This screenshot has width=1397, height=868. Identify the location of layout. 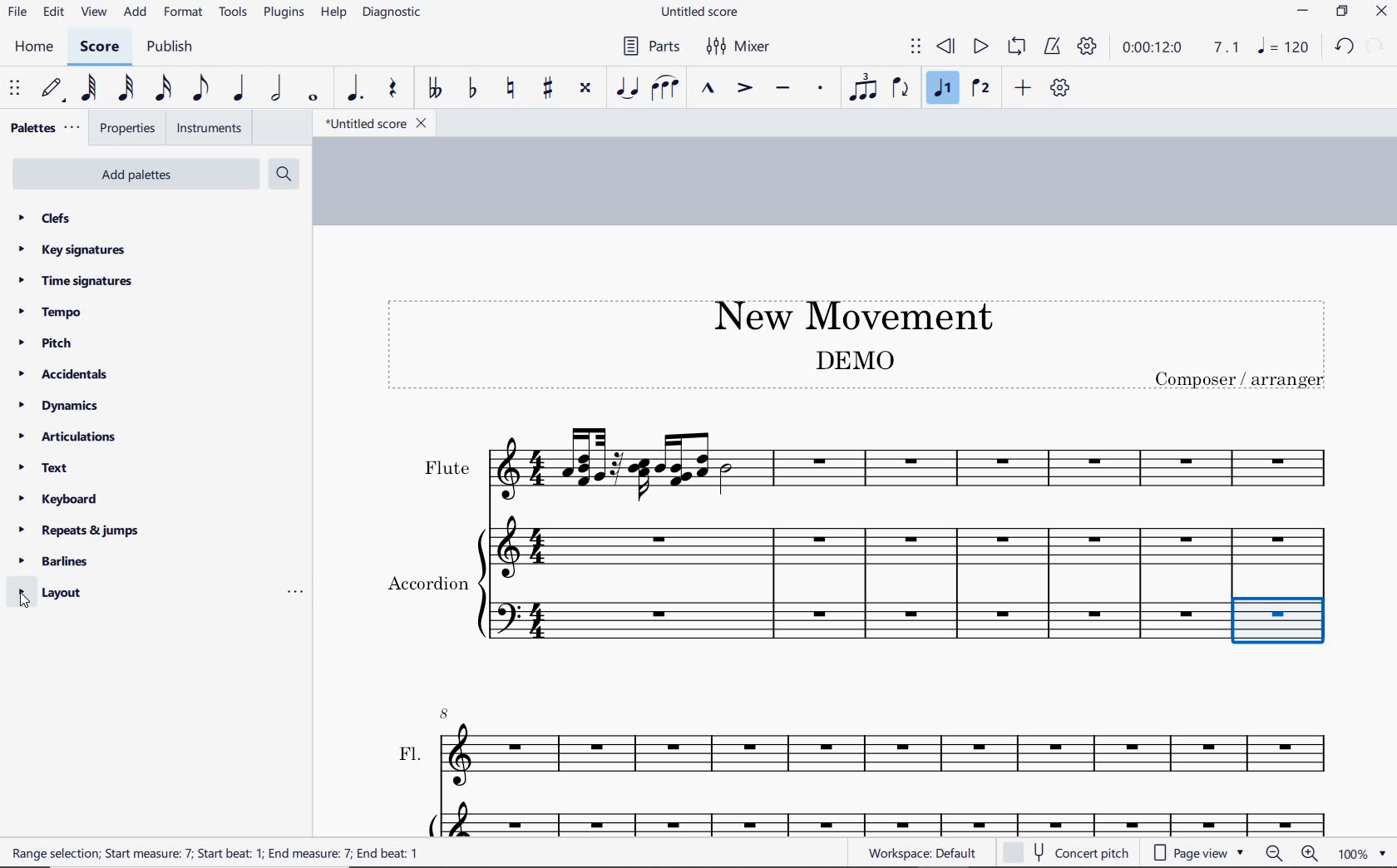
(53, 593).